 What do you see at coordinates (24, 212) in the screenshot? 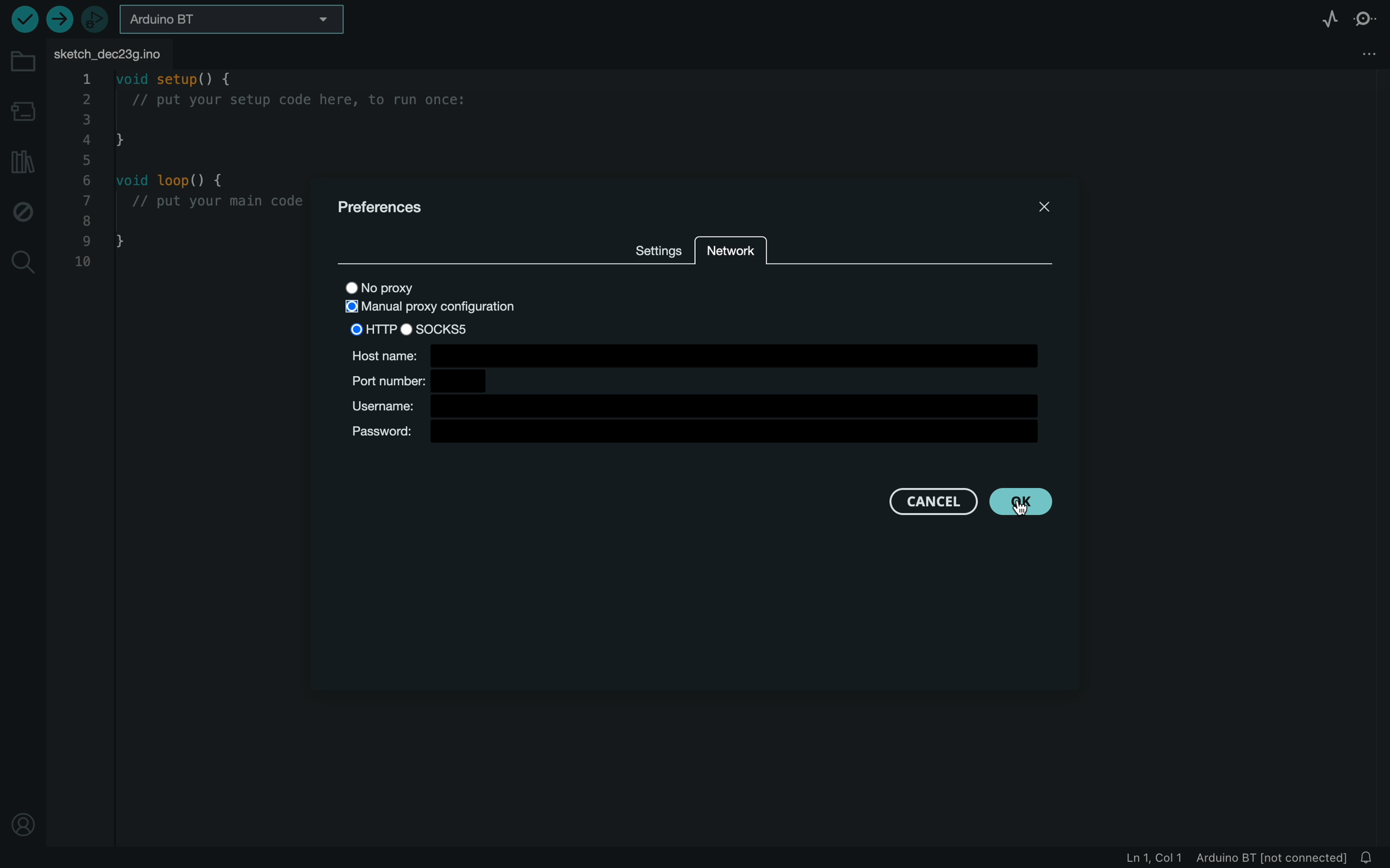
I see `debug` at bounding box center [24, 212].